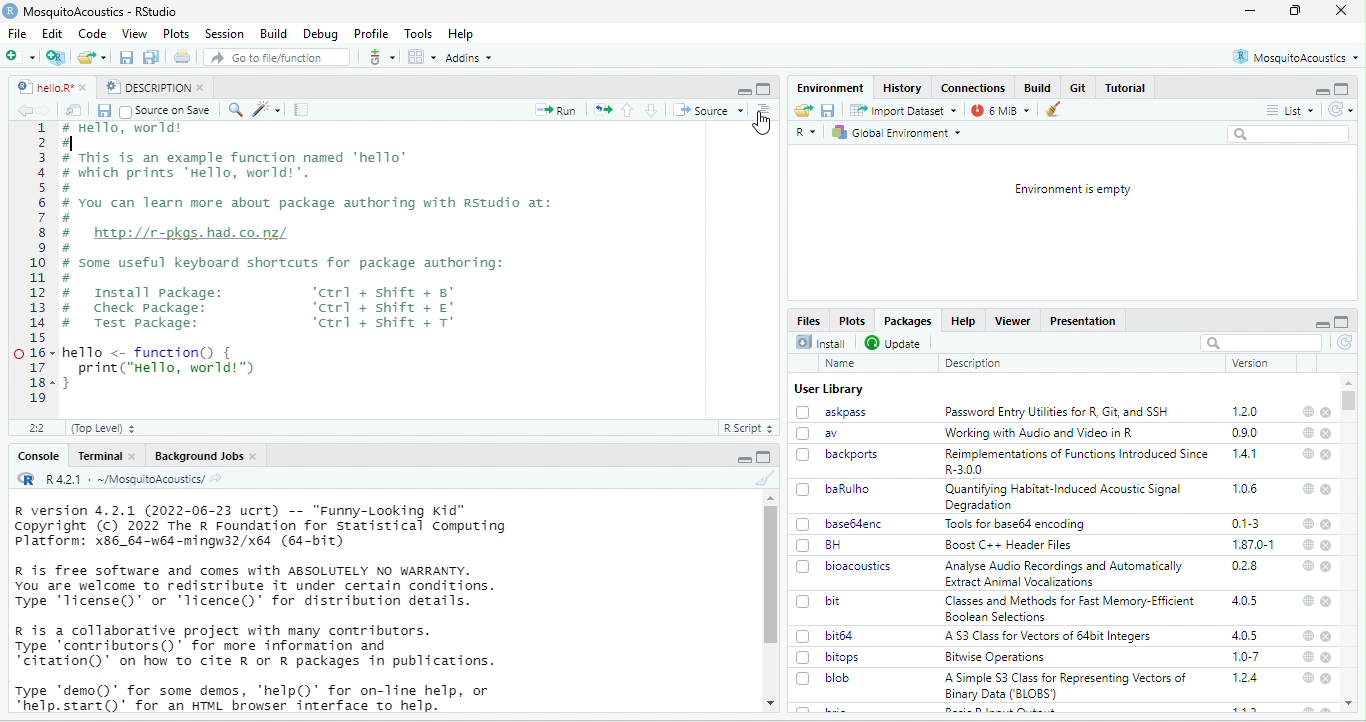 Image resolution: width=1366 pixels, height=722 pixels. What do you see at coordinates (1246, 411) in the screenshot?
I see `1.2.0` at bounding box center [1246, 411].